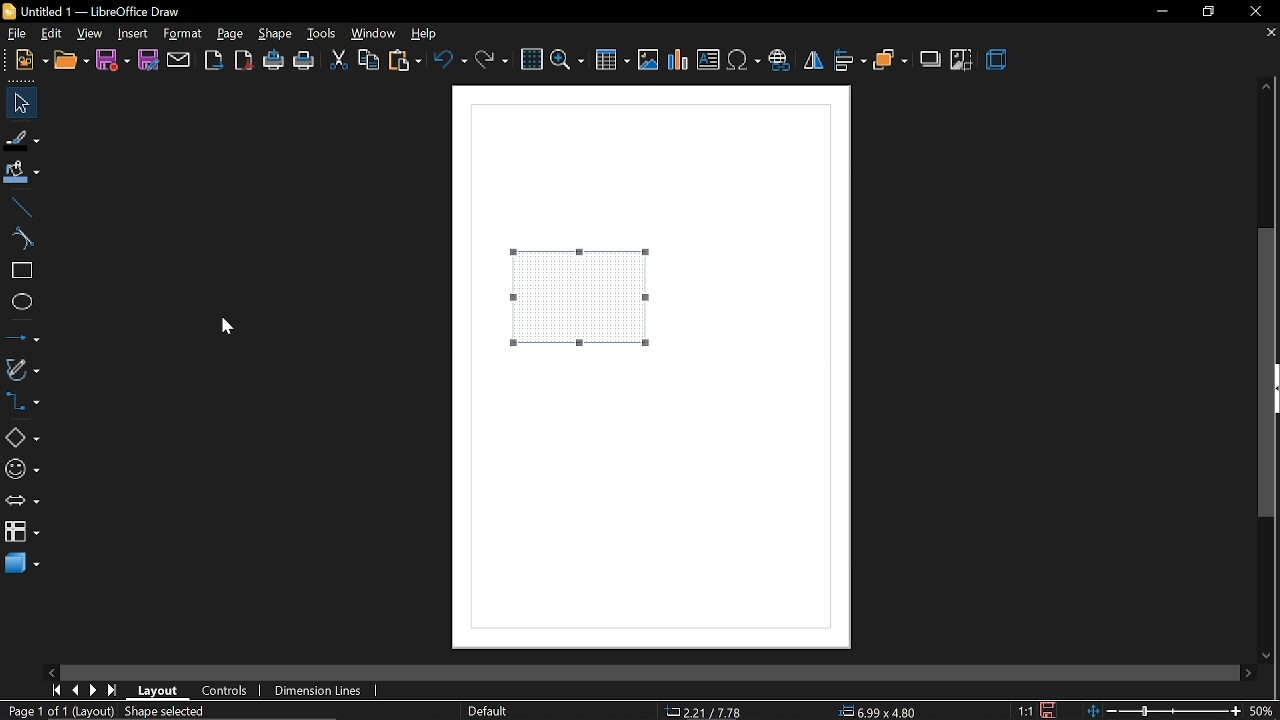 The height and width of the screenshot is (720, 1280). What do you see at coordinates (370, 62) in the screenshot?
I see `copy` at bounding box center [370, 62].